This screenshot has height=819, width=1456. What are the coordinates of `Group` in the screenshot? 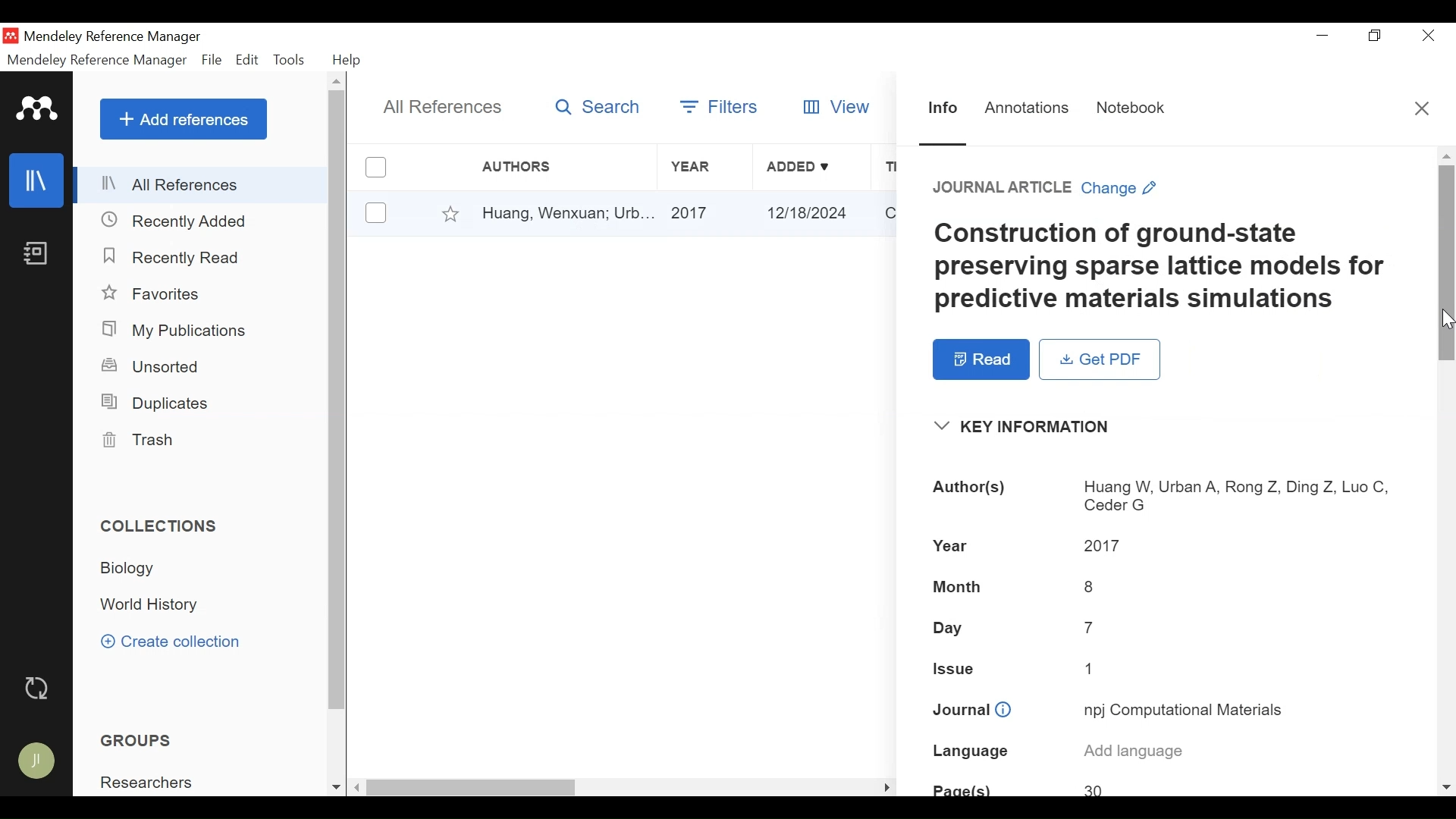 It's located at (155, 783).